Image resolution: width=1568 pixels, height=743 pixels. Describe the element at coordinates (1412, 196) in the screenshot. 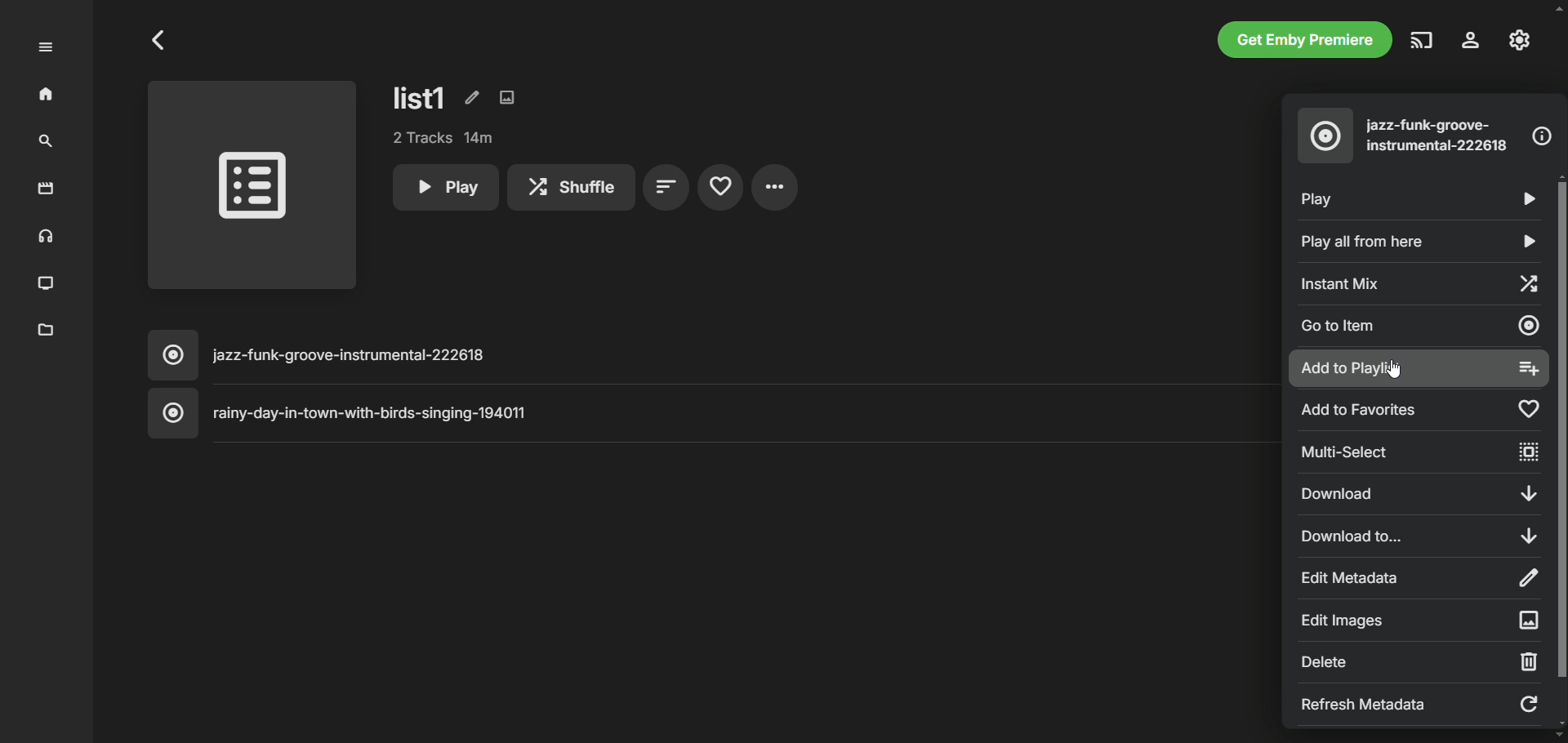

I see `paly` at that location.